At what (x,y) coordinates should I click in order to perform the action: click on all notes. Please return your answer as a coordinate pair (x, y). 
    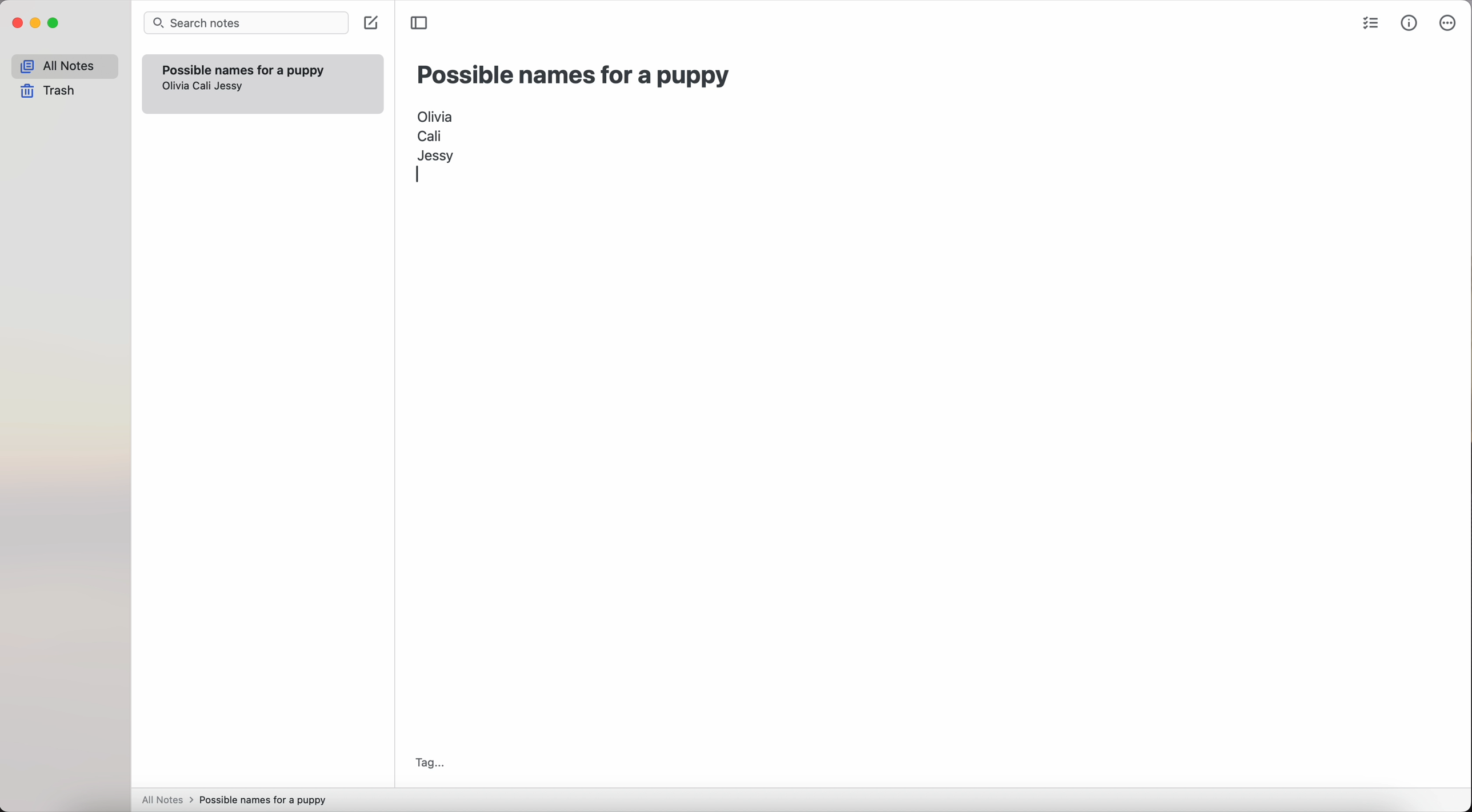
    Looking at the image, I should click on (65, 66).